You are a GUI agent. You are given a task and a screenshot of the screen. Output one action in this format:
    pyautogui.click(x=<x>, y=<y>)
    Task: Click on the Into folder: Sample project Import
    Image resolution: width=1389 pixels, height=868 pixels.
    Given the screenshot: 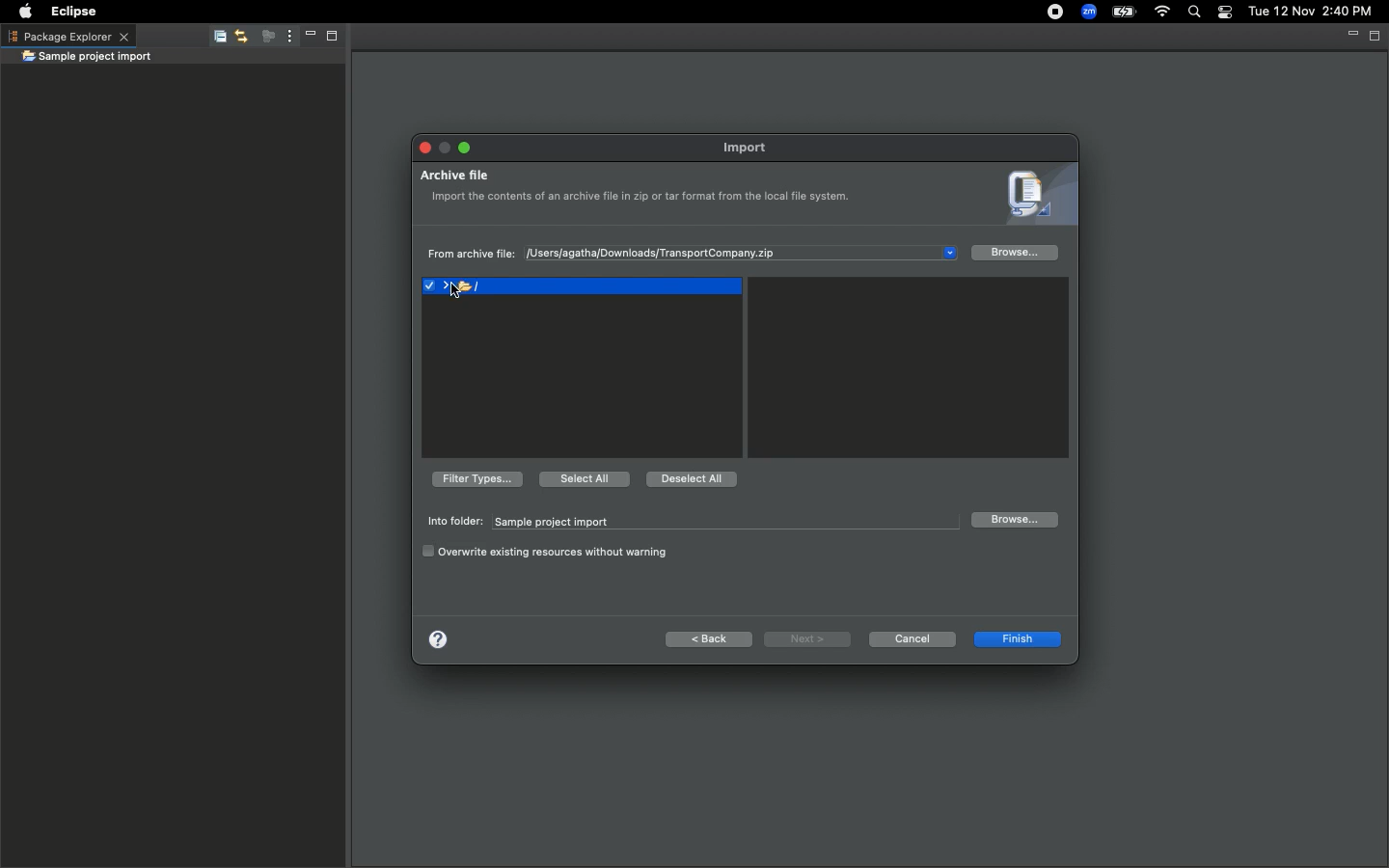 What is the action you would take?
    pyautogui.click(x=687, y=522)
    